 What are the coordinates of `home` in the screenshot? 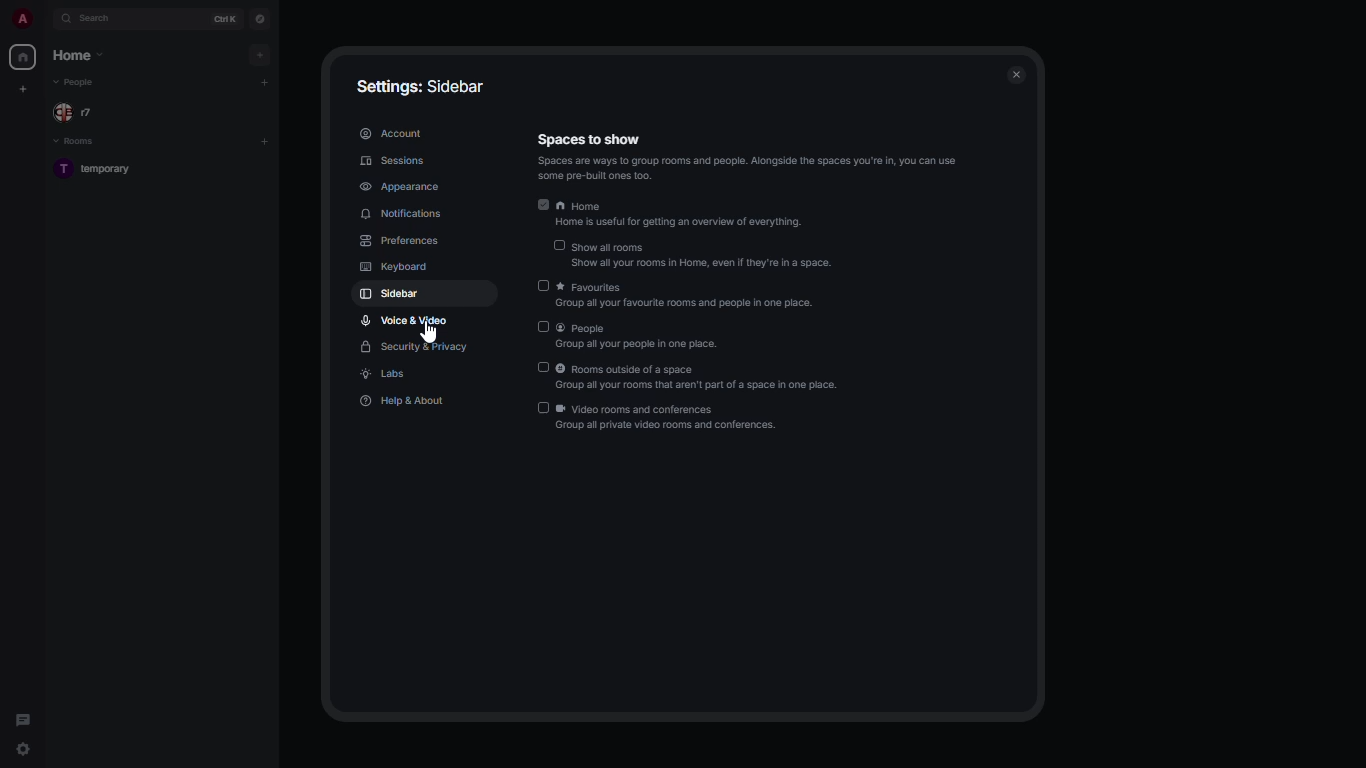 It's located at (24, 58).